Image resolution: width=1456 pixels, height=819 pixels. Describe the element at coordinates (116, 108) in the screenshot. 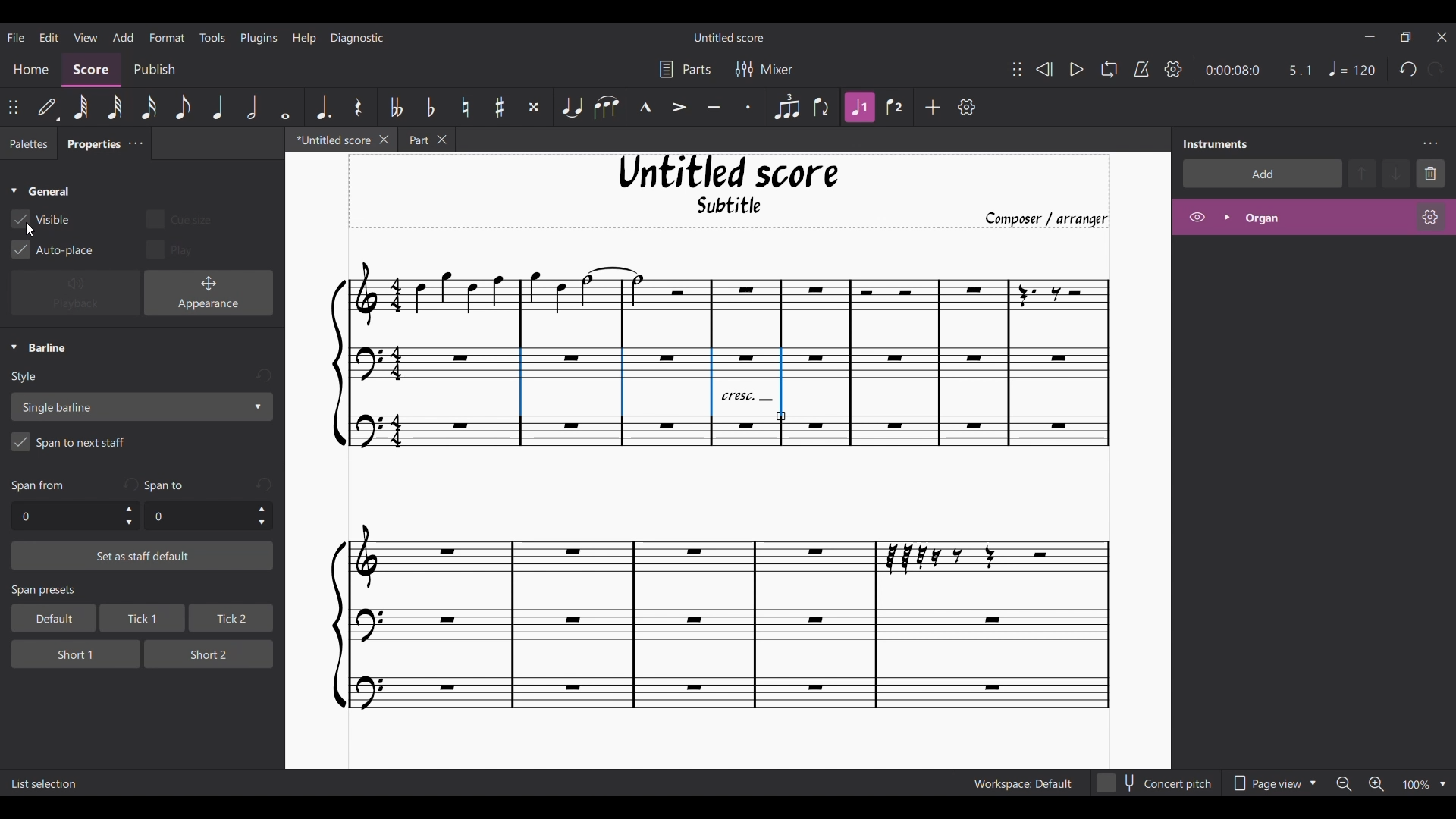

I see `32nd note` at that location.